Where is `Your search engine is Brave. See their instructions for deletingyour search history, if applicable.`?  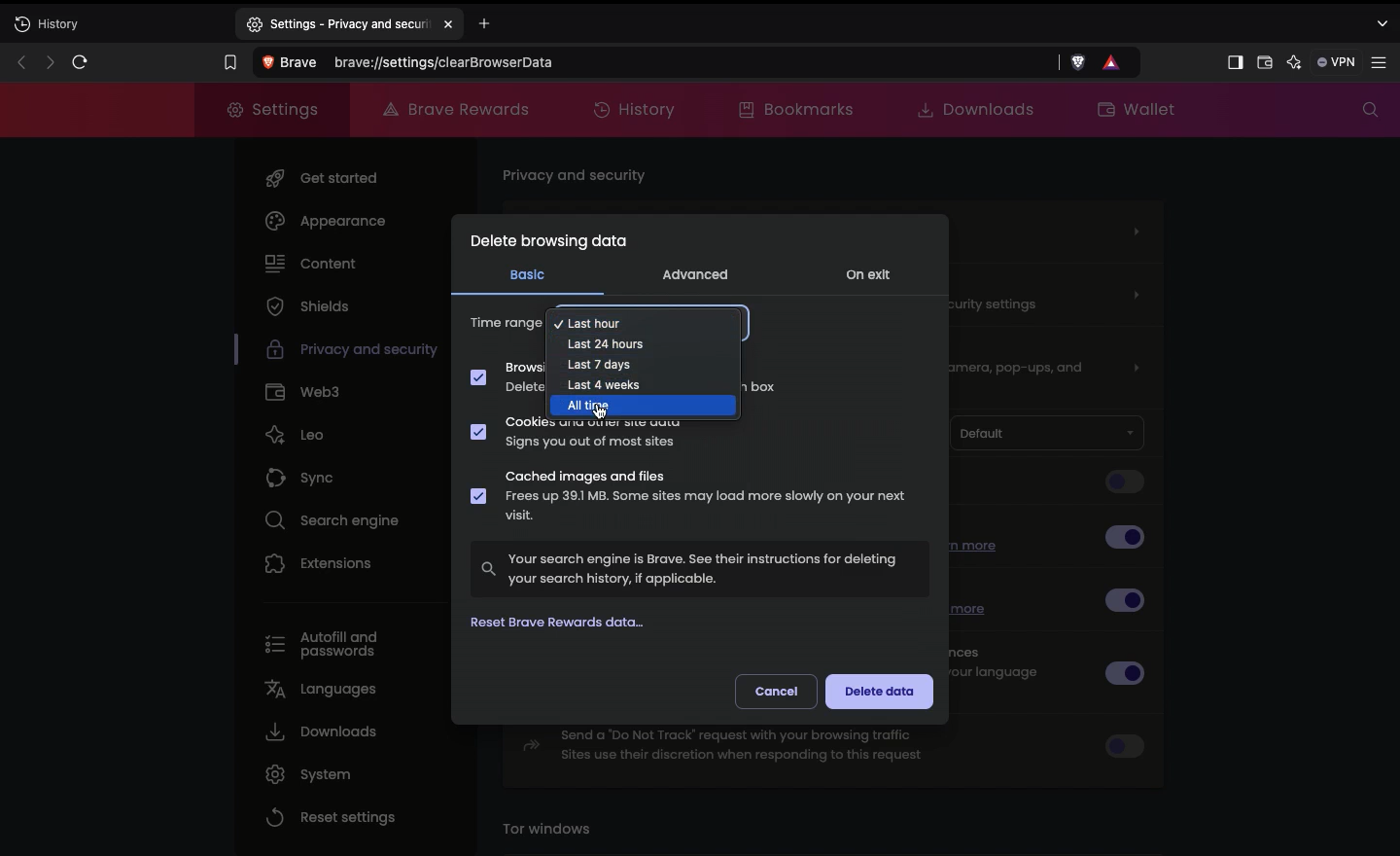
Your search engine is Brave. See their instructions for deletingyour search history, if applicable. is located at coordinates (700, 567).